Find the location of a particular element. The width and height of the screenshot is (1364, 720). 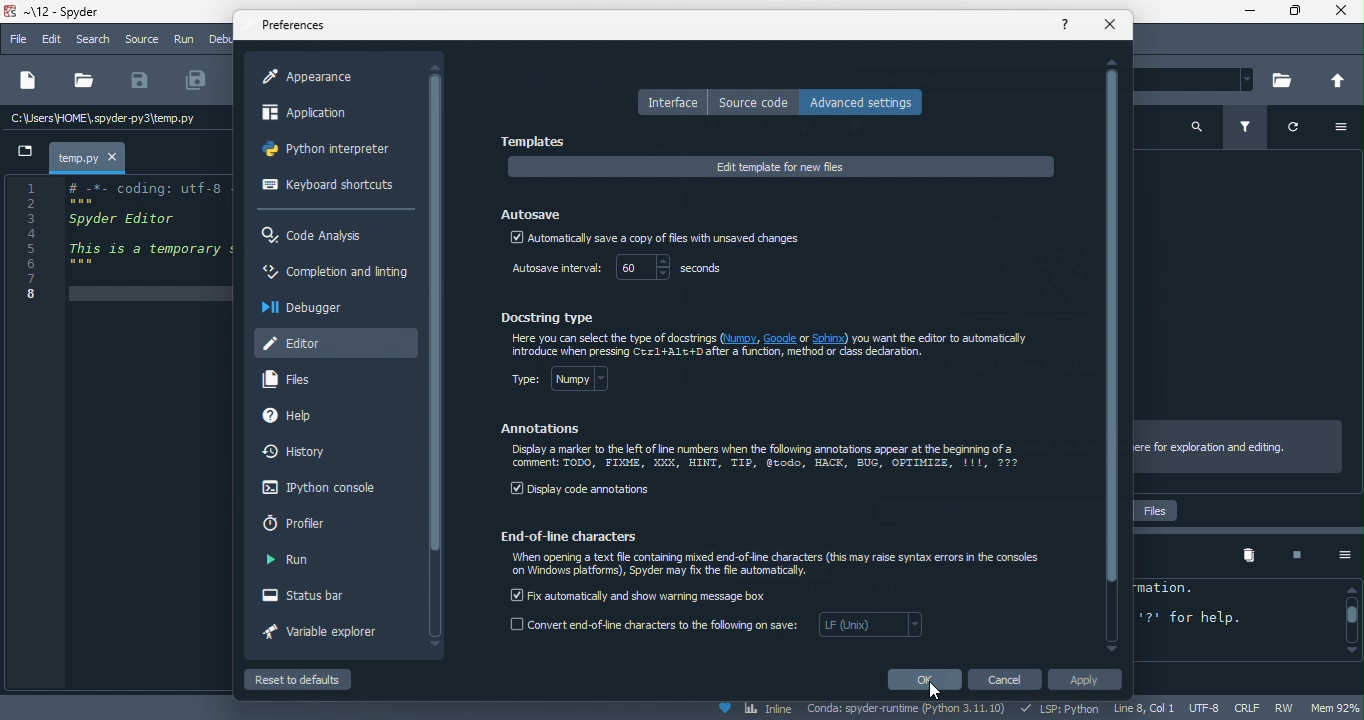

history is located at coordinates (301, 453).